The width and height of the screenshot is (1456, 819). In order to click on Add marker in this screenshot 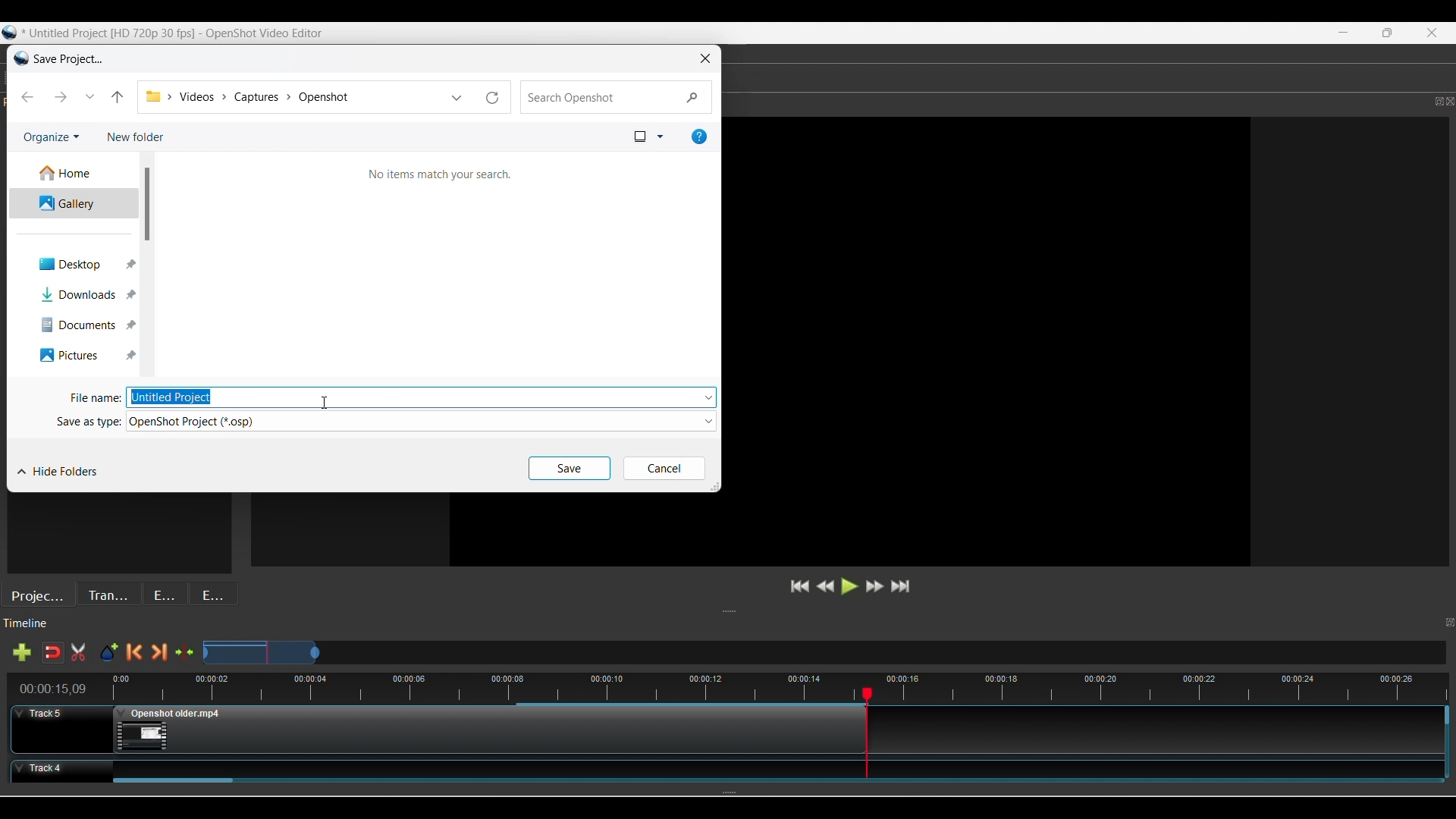, I will do `click(108, 653)`.